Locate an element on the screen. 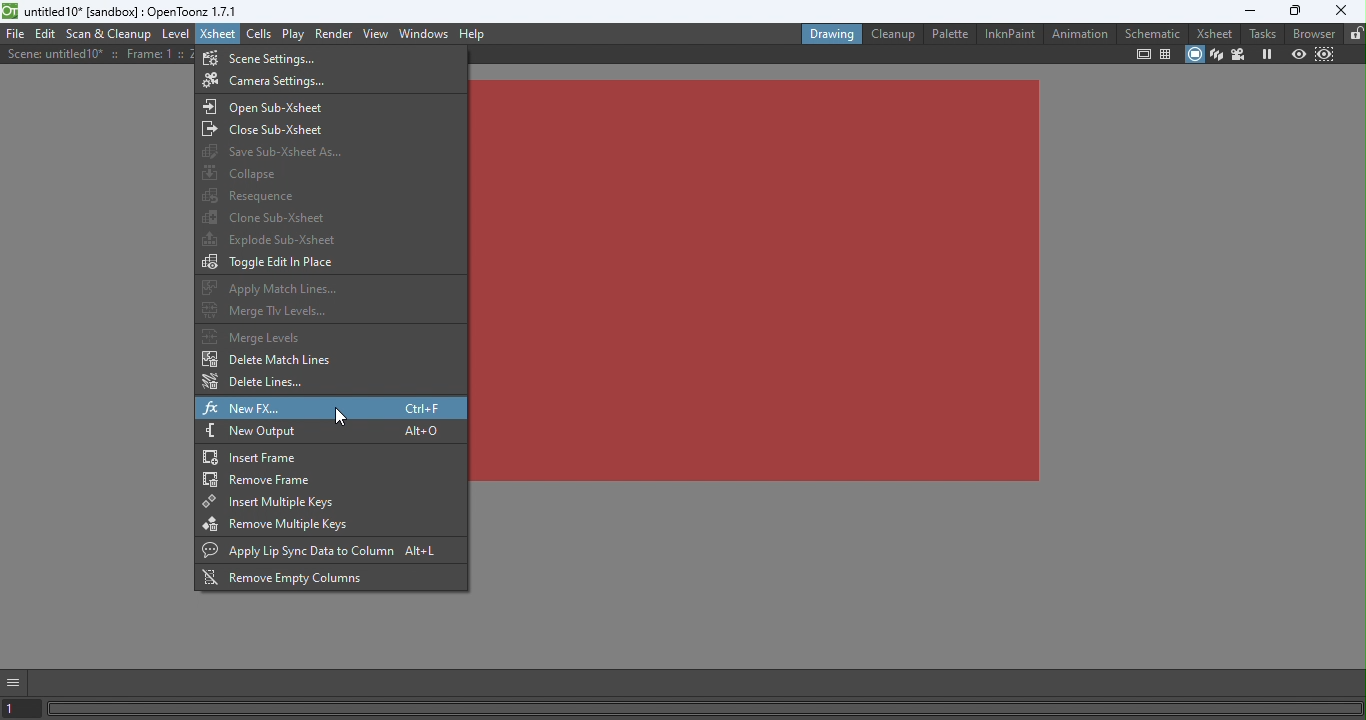 The height and width of the screenshot is (720, 1366). Browser is located at coordinates (1311, 34).